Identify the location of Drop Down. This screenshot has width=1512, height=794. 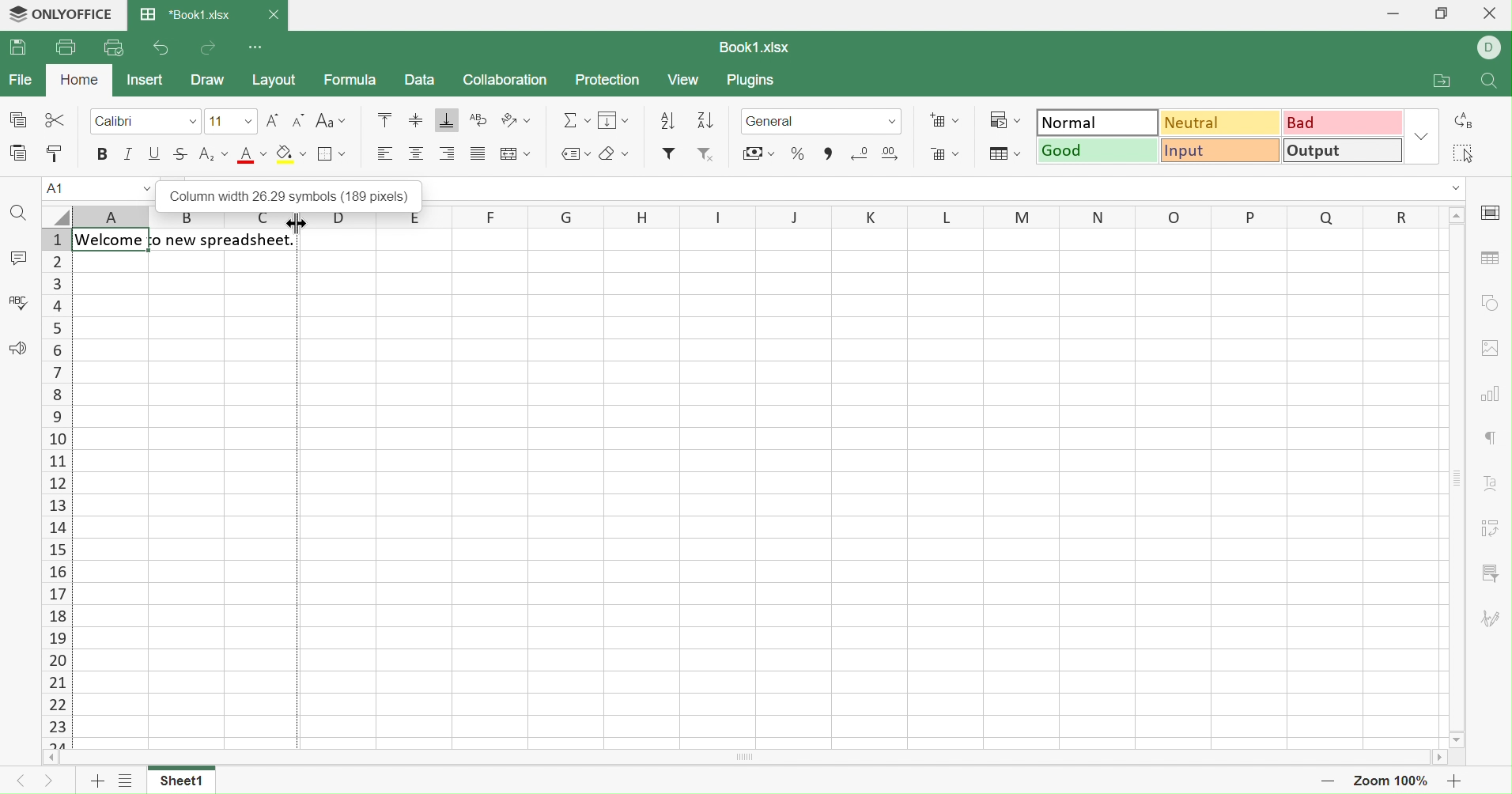
(195, 121).